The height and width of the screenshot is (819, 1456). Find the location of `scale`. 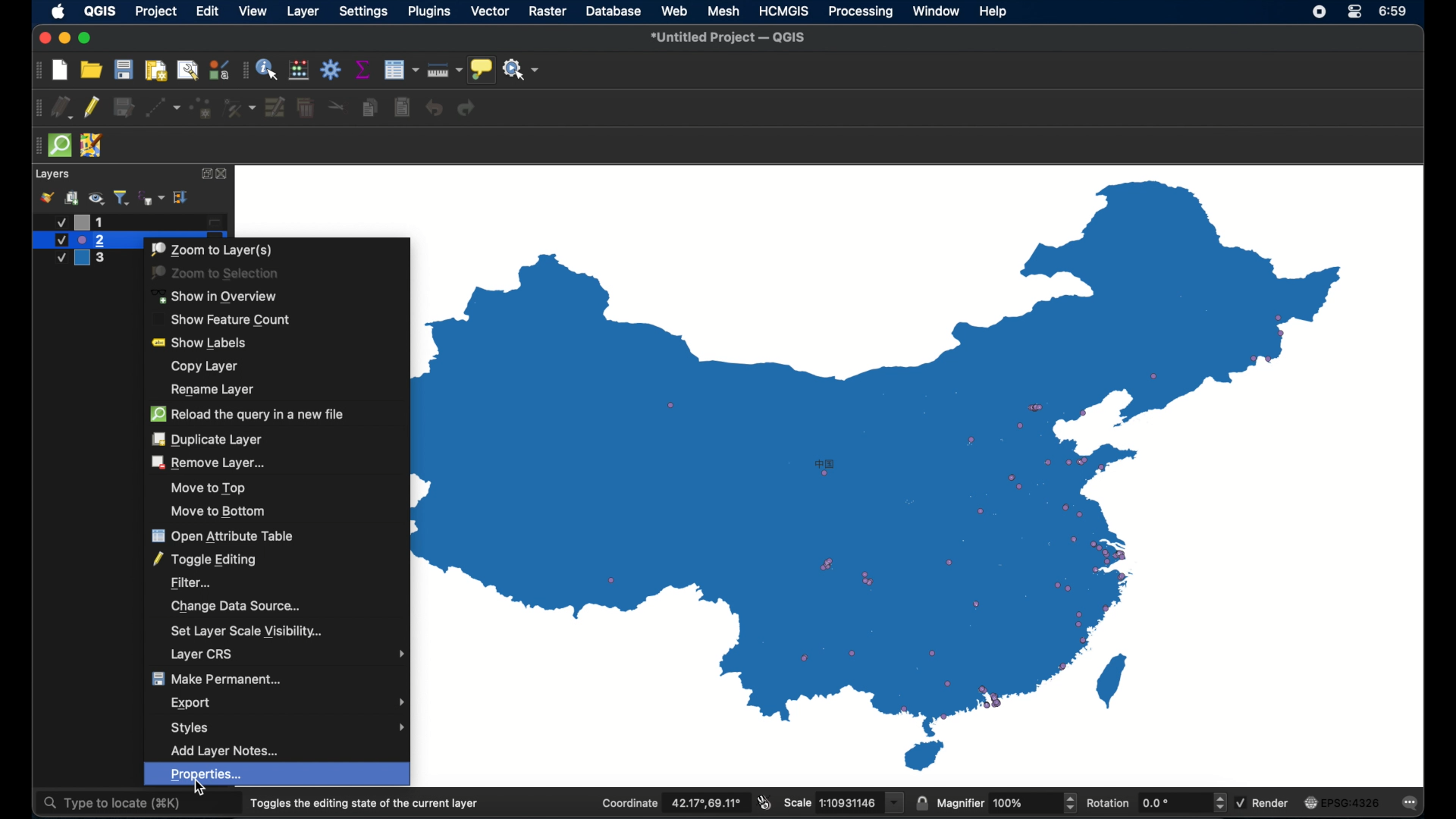

scale is located at coordinates (844, 804).